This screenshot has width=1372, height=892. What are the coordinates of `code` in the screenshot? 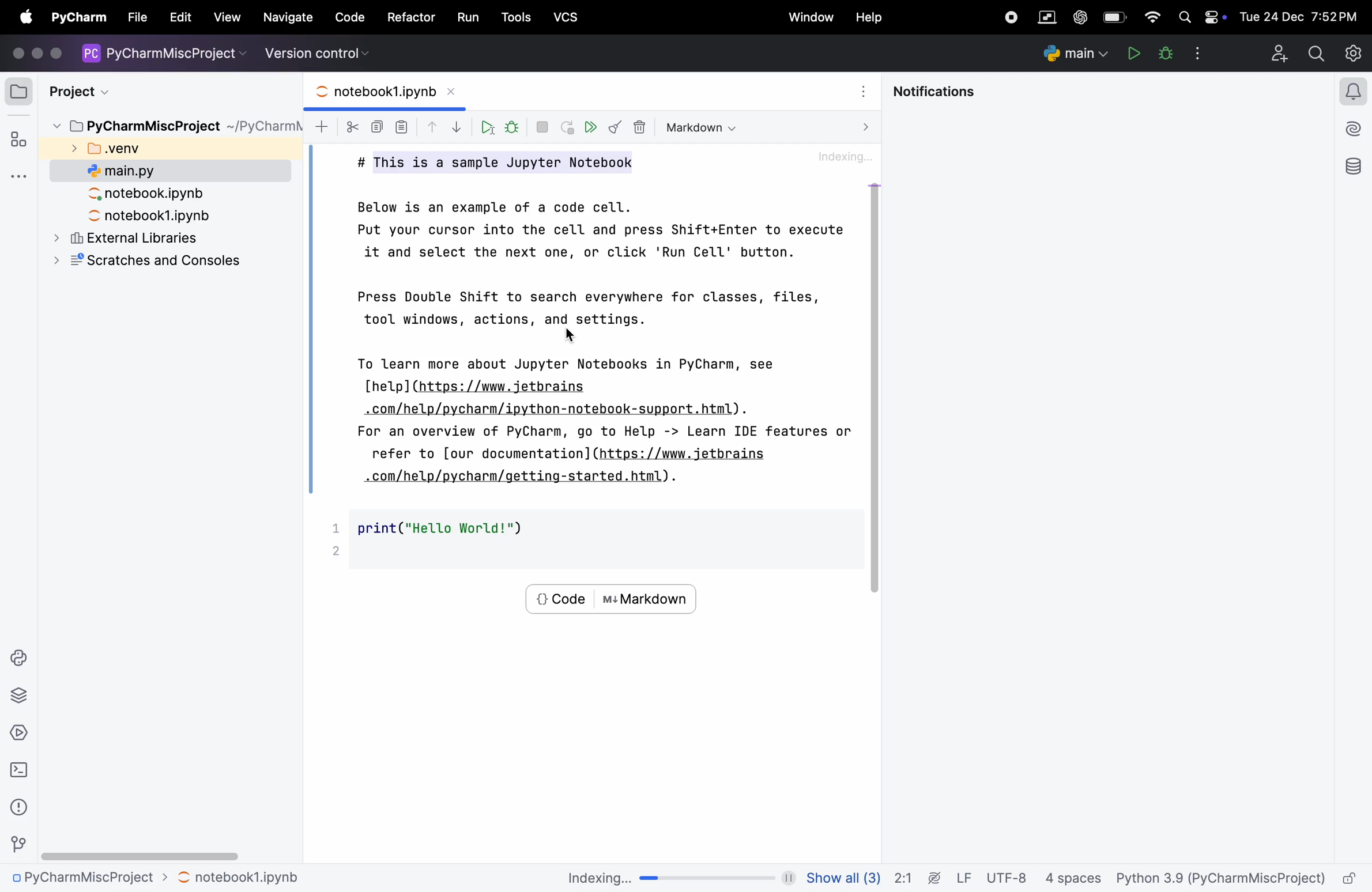 It's located at (560, 598).